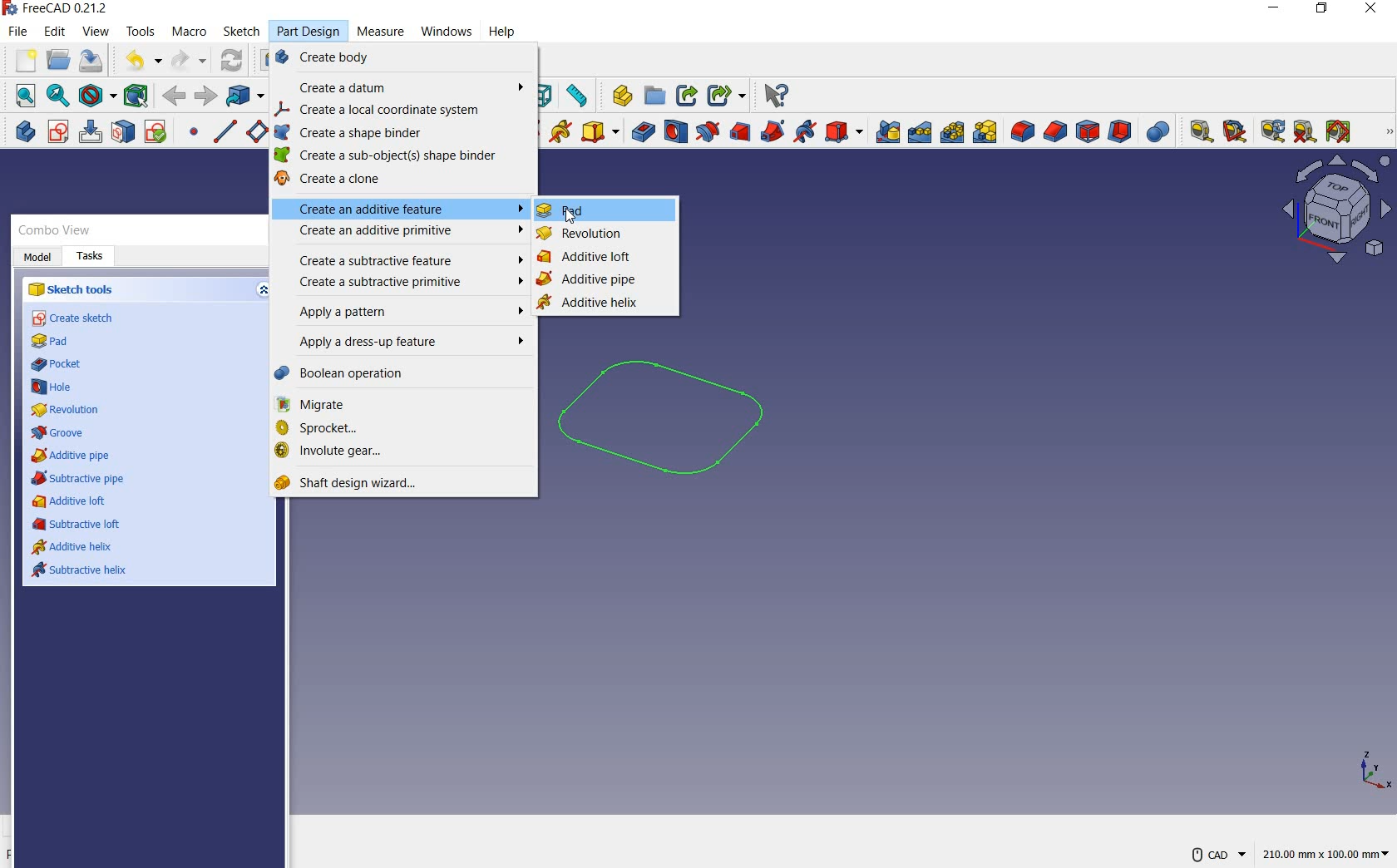 The height and width of the screenshot is (868, 1397). Describe the element at coordinates (707, 131) in the screenshot. I see `groove` at that location.